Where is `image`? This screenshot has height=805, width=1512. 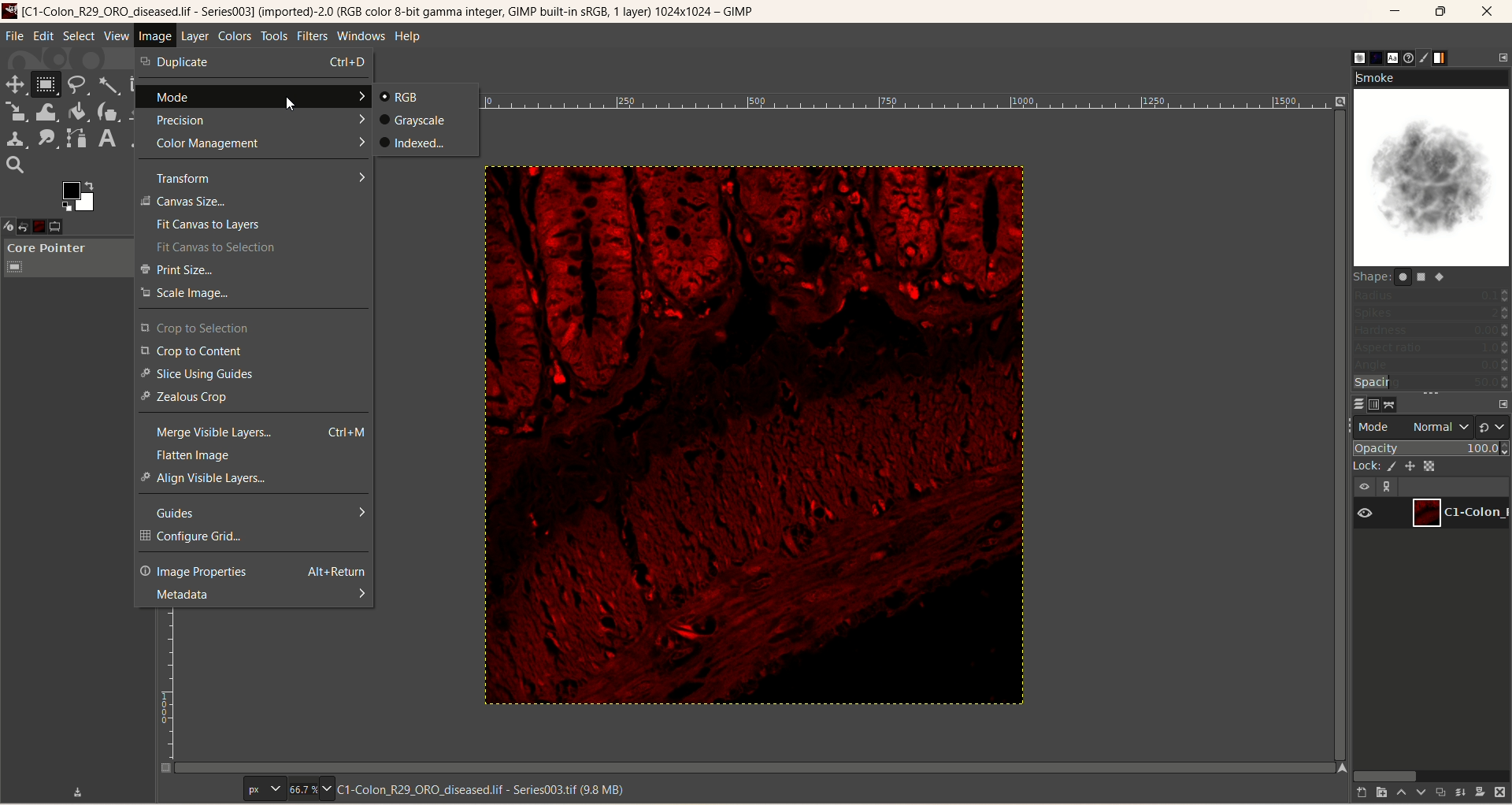 image is located at coordinates (154, 35).